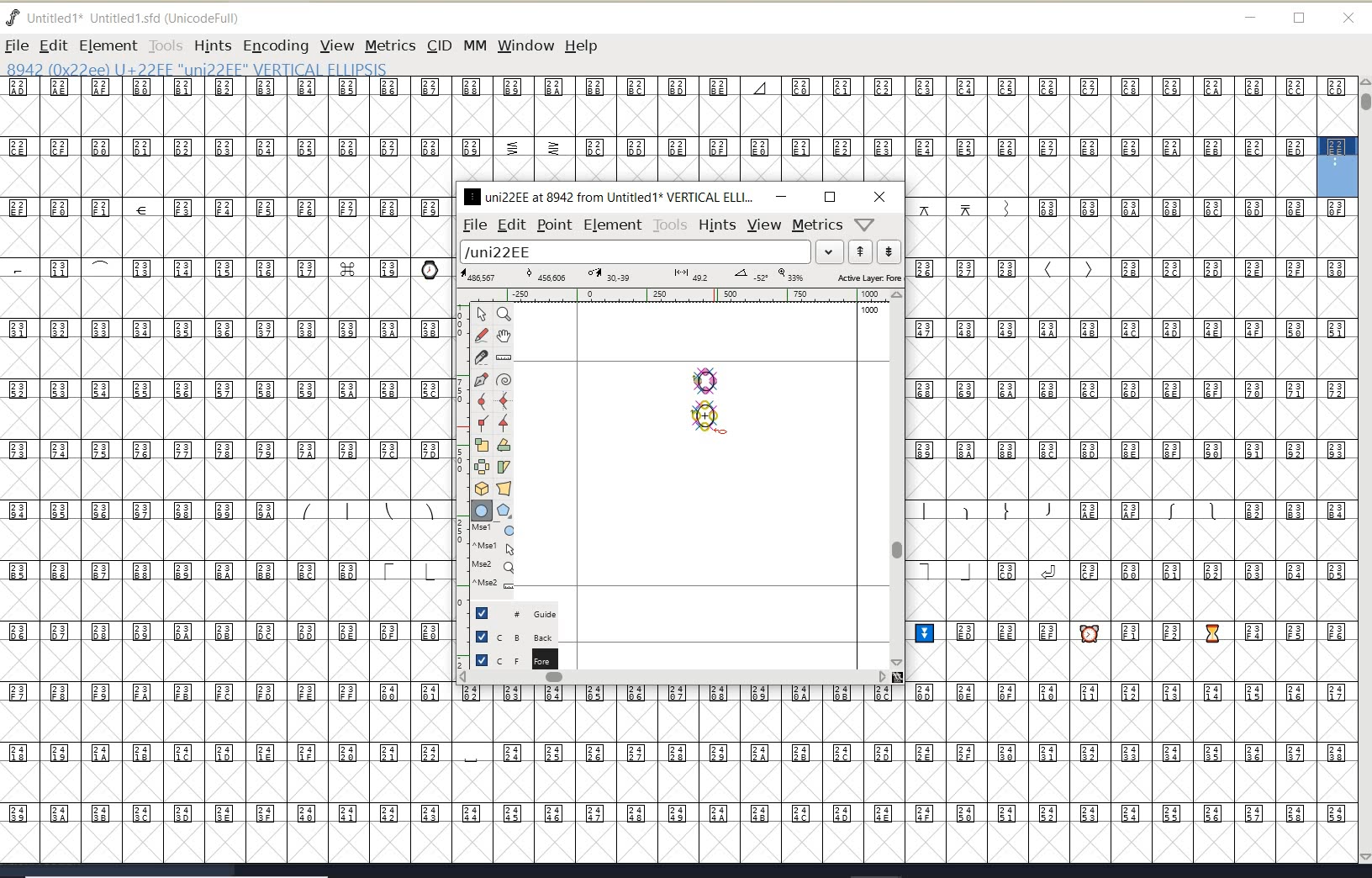 The image size is (1372, 878). I want to click on METRICS, so click(390, 45).